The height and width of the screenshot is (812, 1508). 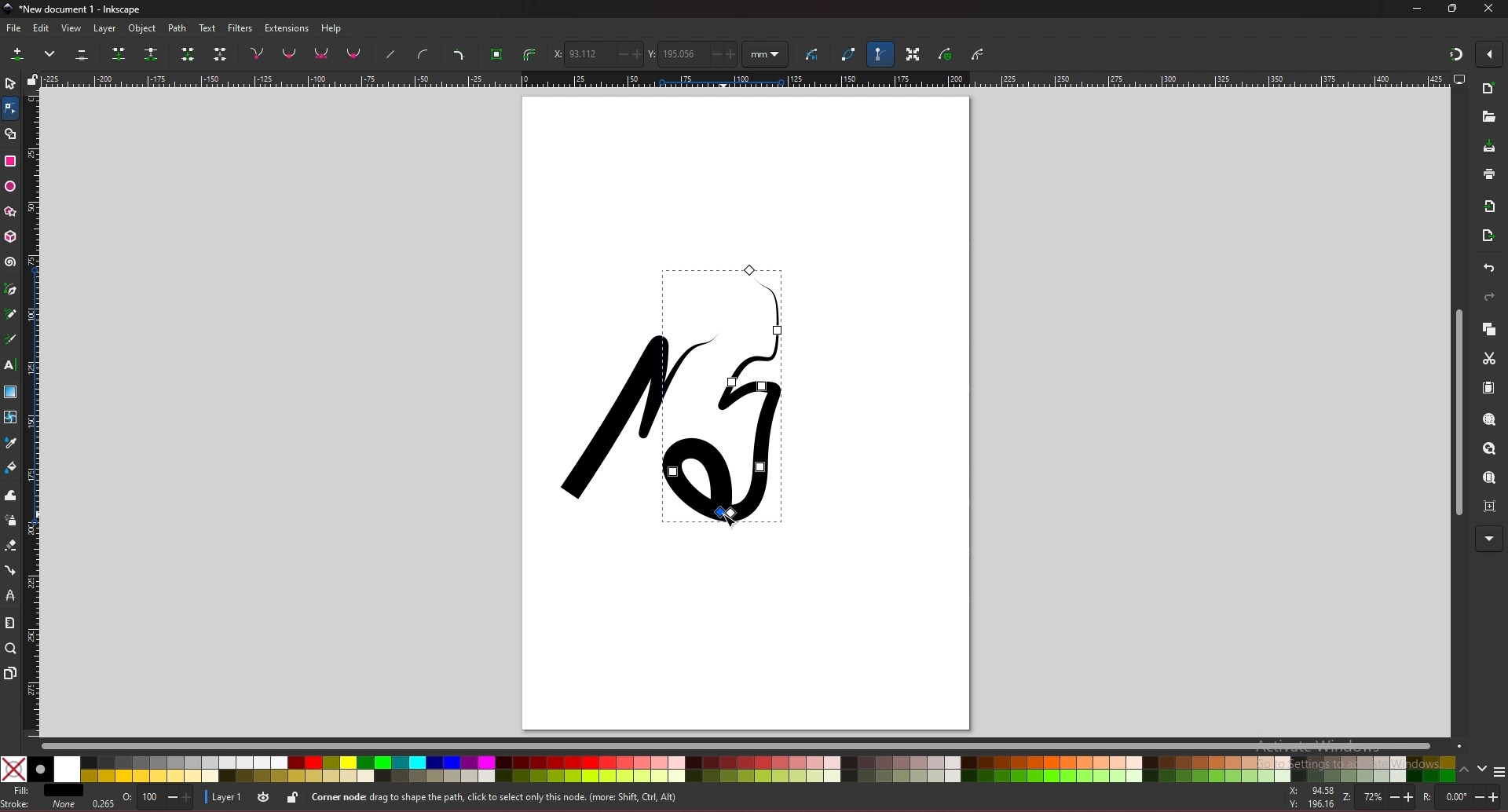 I want to click on join selected endnode, so click(x=188, y=53).